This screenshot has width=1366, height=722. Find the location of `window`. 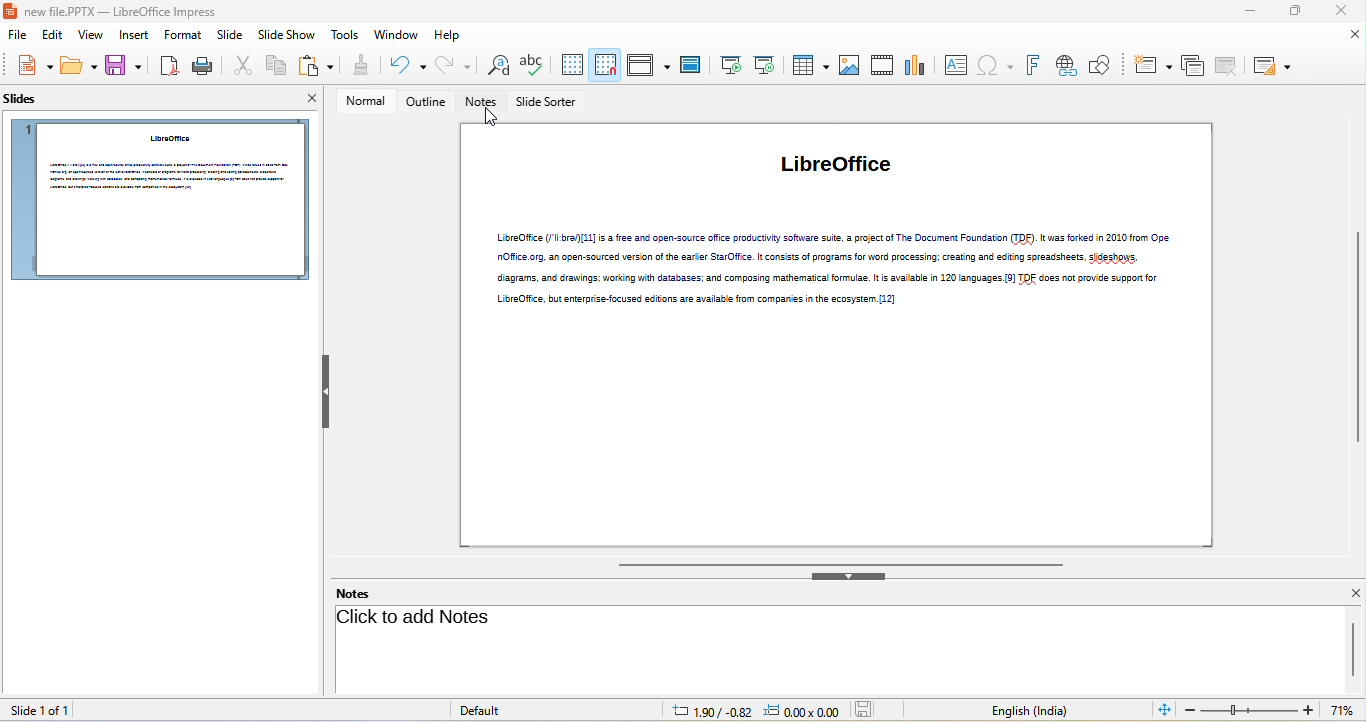

window is located at coordinates (397, 35).